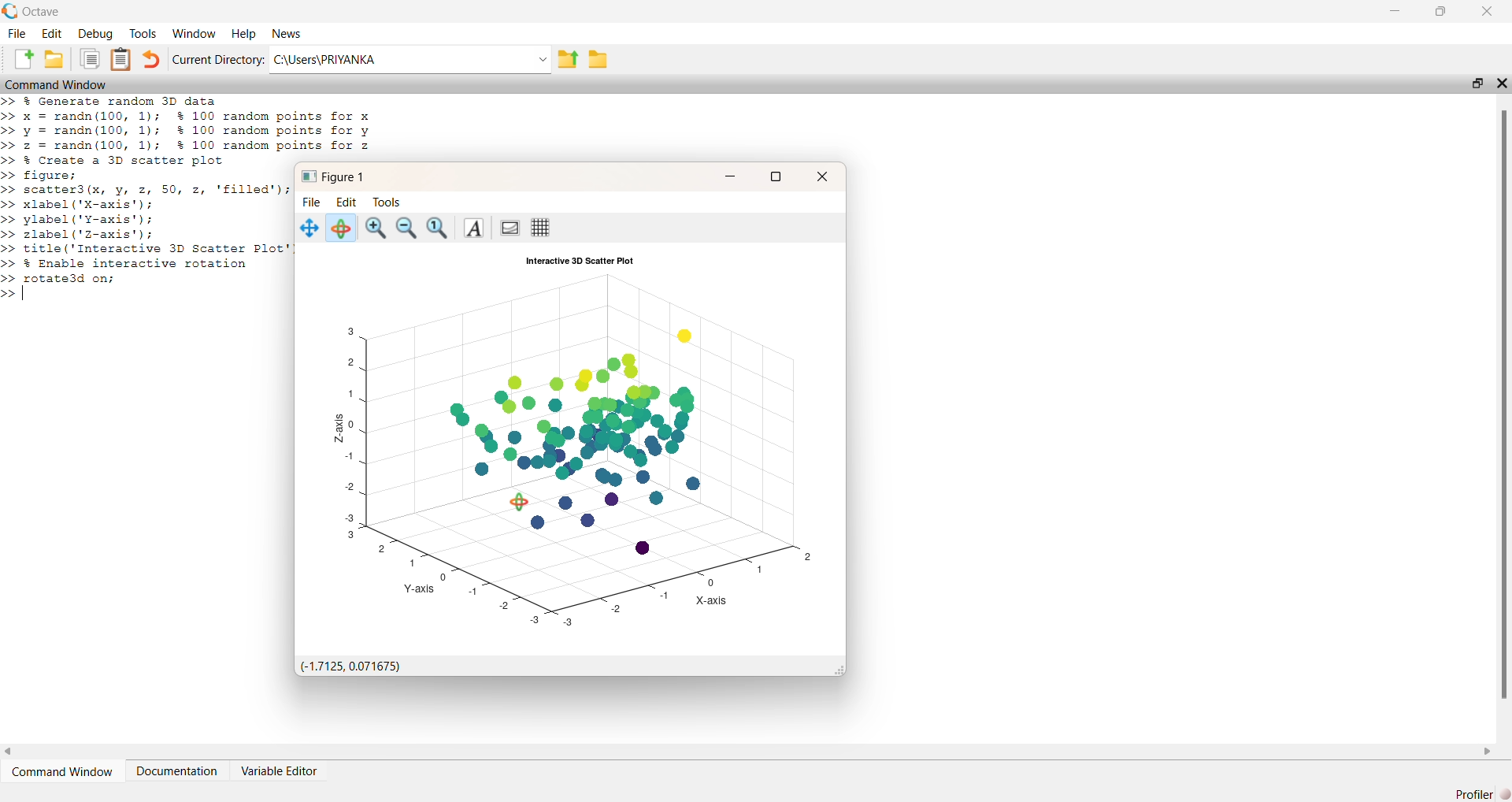  Describe the element at coordinates (1481, 793) in the screenshot. I see `Profiler` at that location.